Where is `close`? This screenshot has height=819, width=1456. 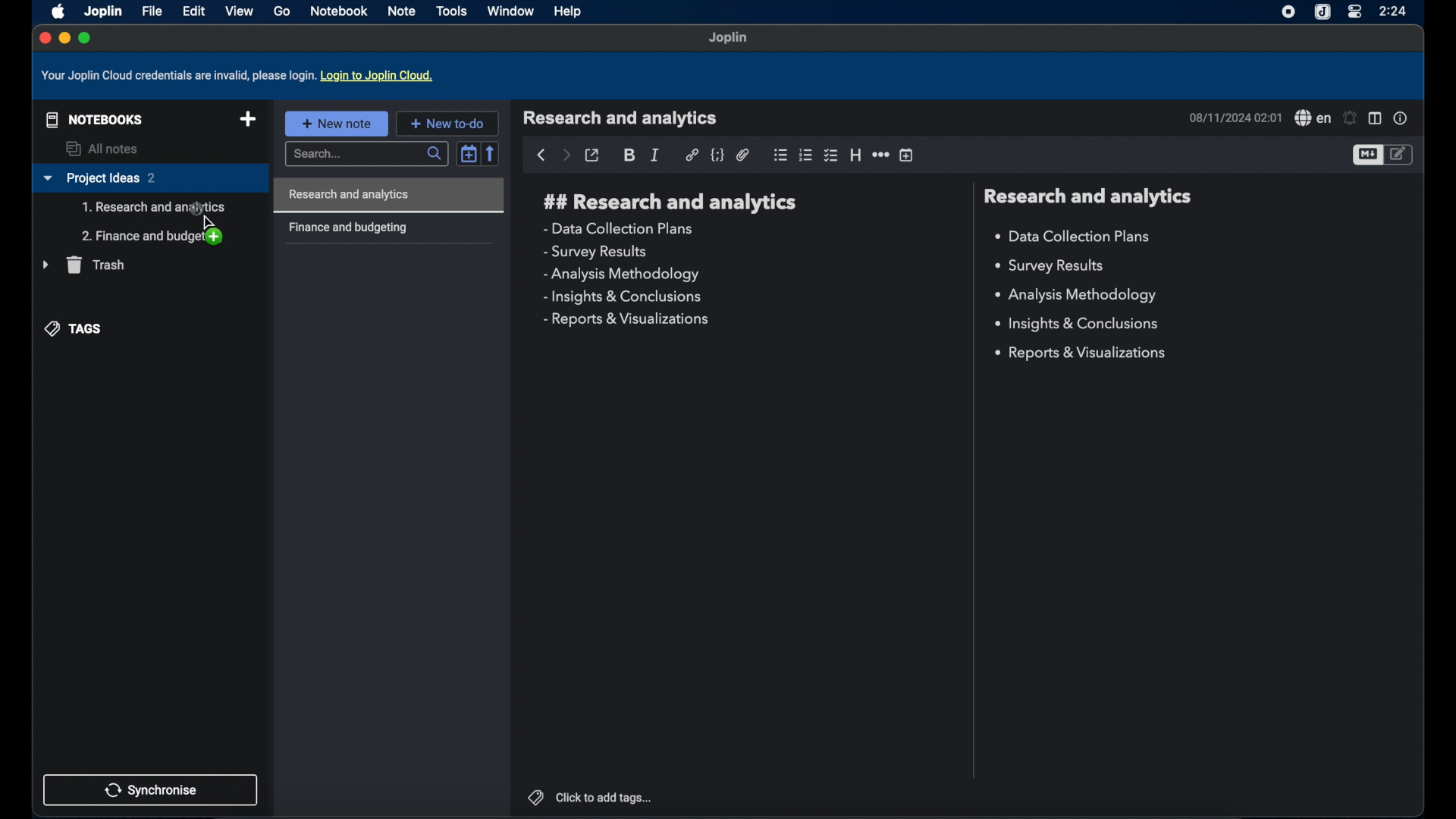 close is located at coordinates (43, 37).